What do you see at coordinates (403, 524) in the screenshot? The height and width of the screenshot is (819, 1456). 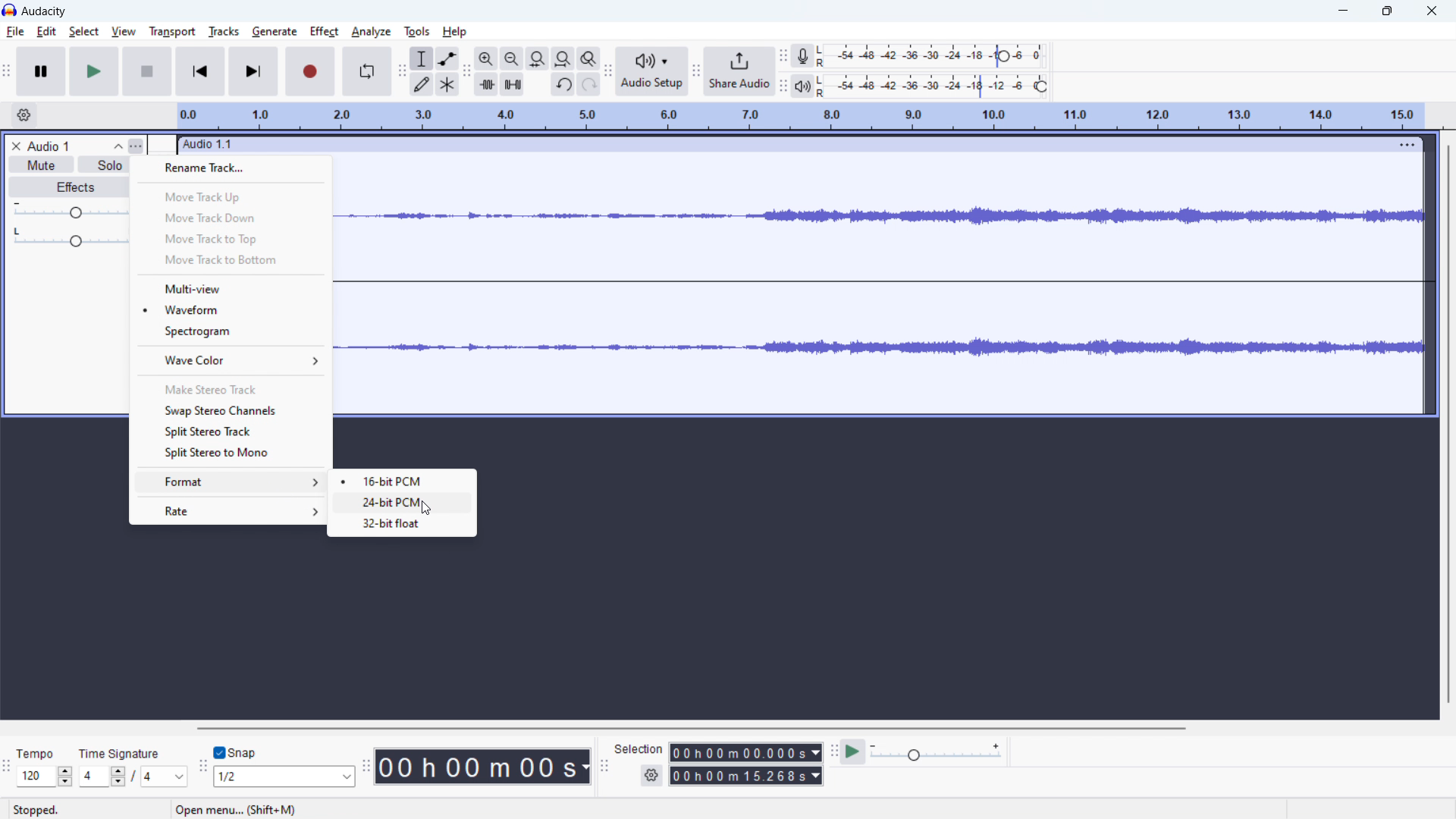 I see `32 bit float` at bounding box center [403, 524].